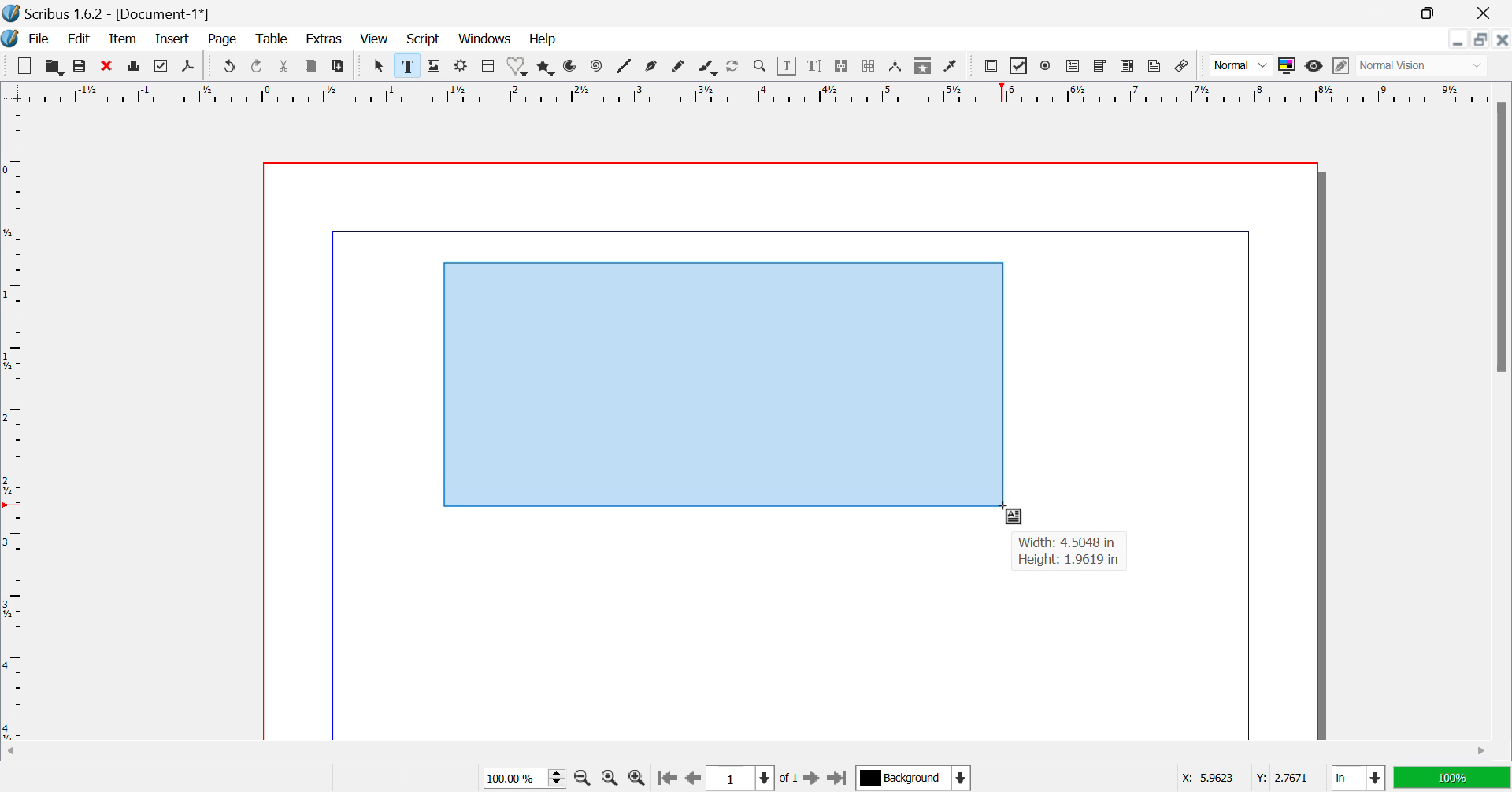 This screenshot has width=1512, height=792. Describe the element at coordinates (408, 68) in the screenshot. I see `Text Frame` at that location.